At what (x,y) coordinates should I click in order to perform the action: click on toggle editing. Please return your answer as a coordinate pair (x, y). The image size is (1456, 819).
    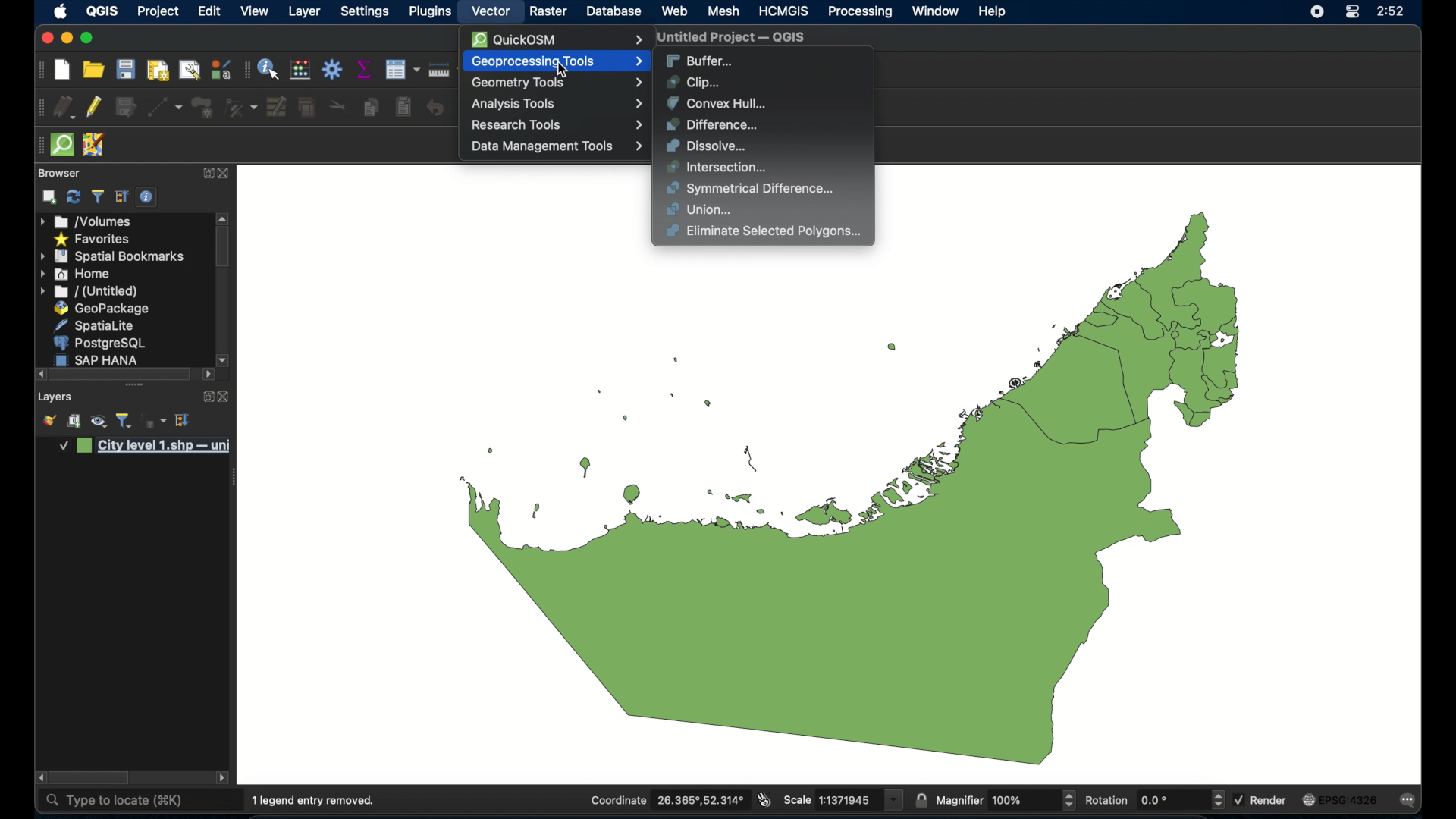
    Looking at the image, I should click on (95, 107).